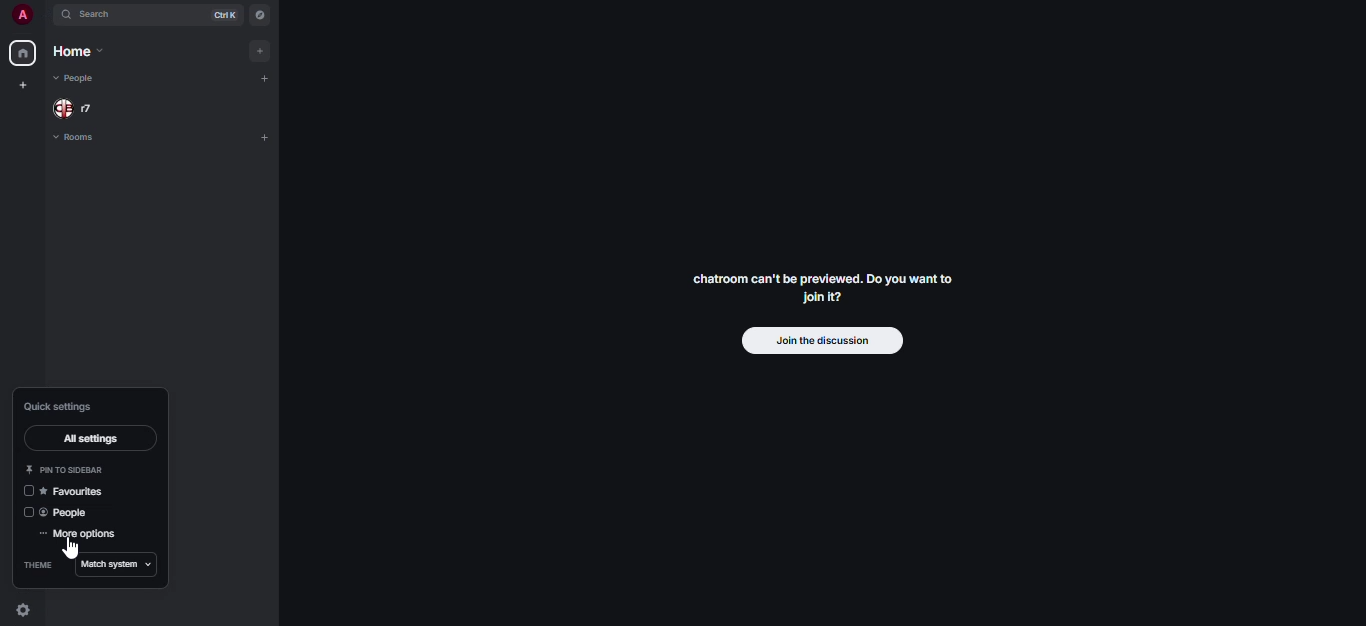 Image resolution: width=1366 pixels, height=626 pixels. Describe the element at coordinates (40, 565) in the screenshot. I see `theme` at that location.